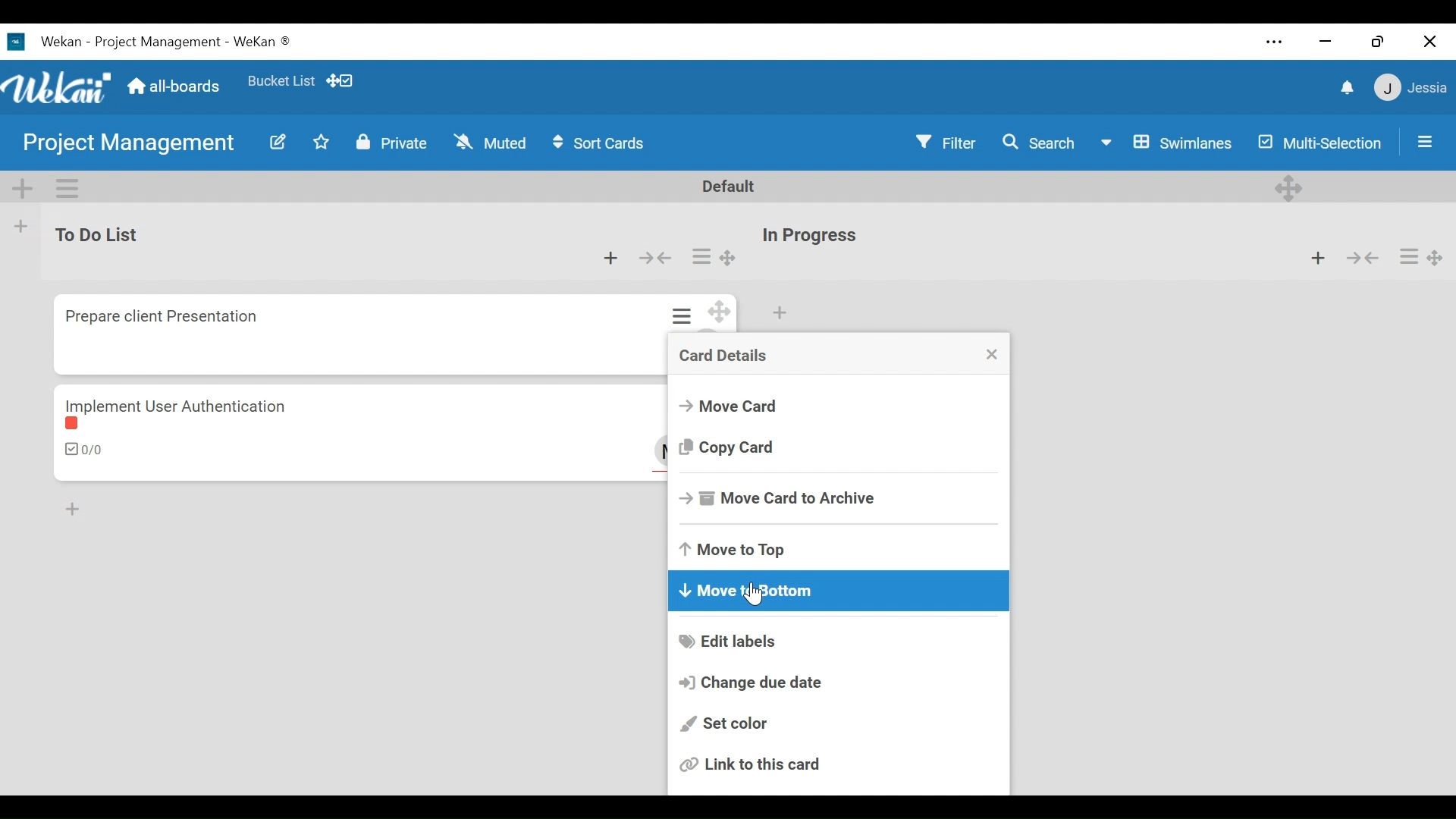  I want to click on close, so click(1432, 42).